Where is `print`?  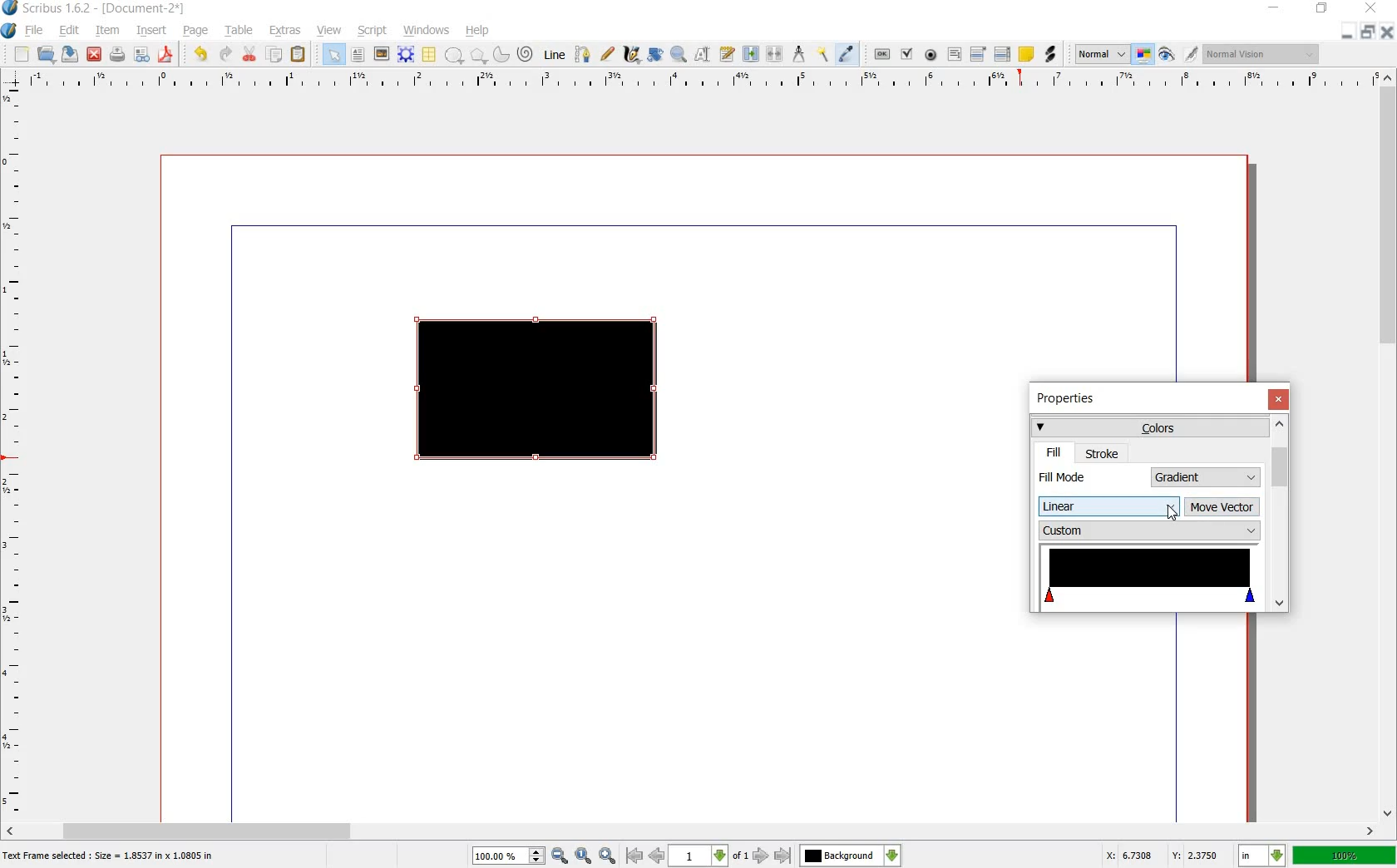
print is located at coordinates (117, 55).